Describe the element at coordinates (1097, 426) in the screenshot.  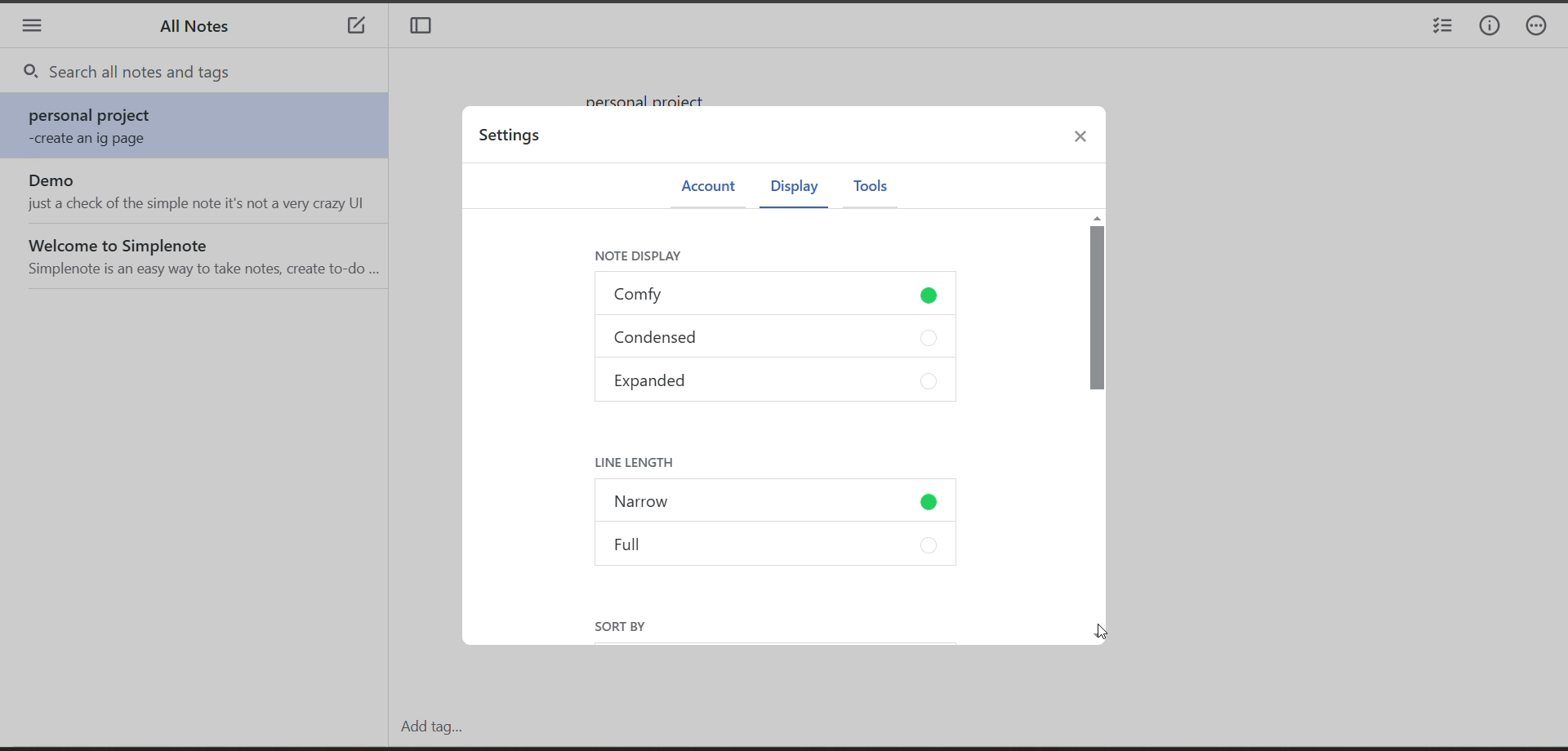
I see `vertical scroll bar` at that location.